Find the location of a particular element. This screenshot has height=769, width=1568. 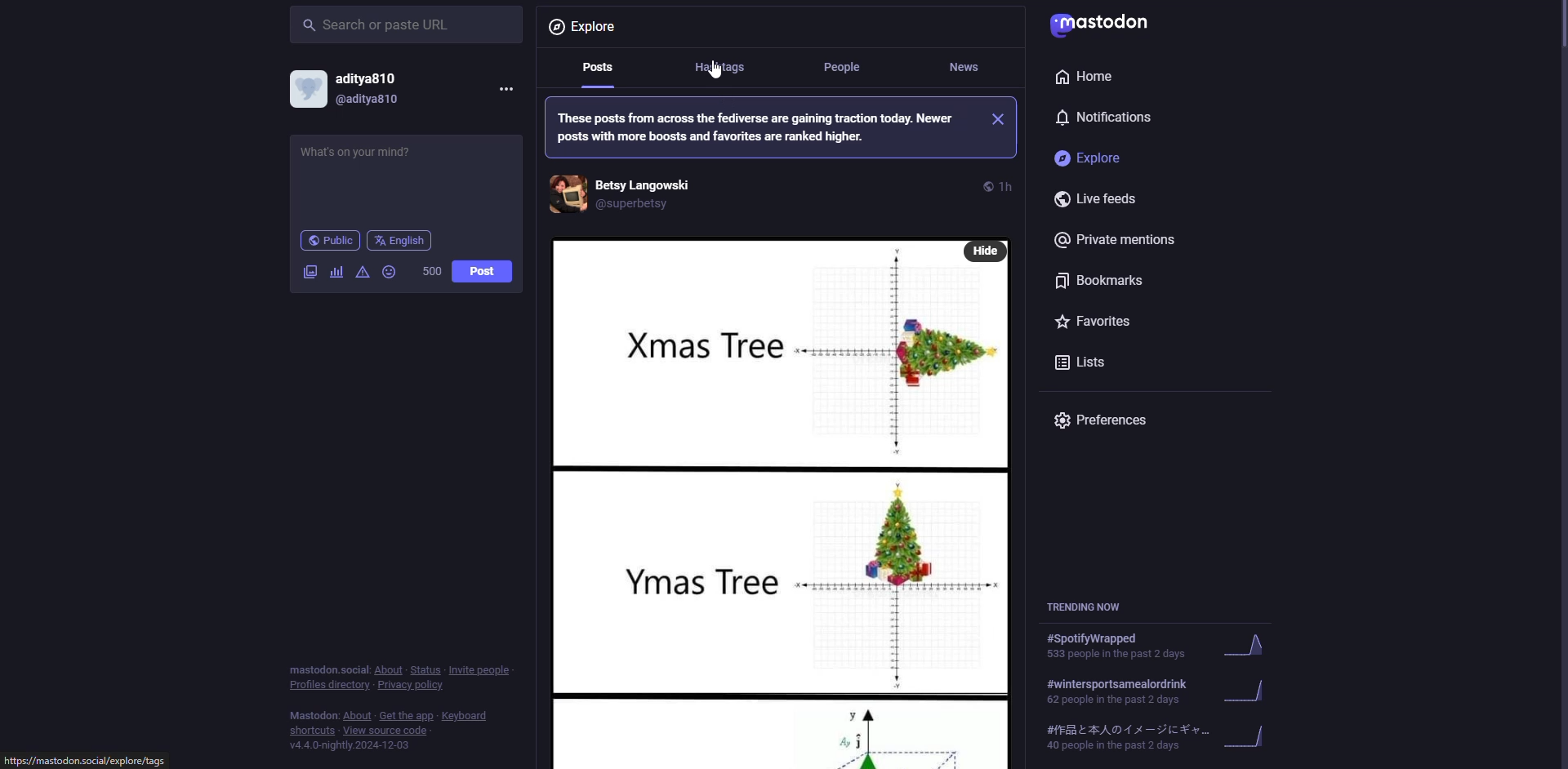

500 is located at coordinates (432, 271).